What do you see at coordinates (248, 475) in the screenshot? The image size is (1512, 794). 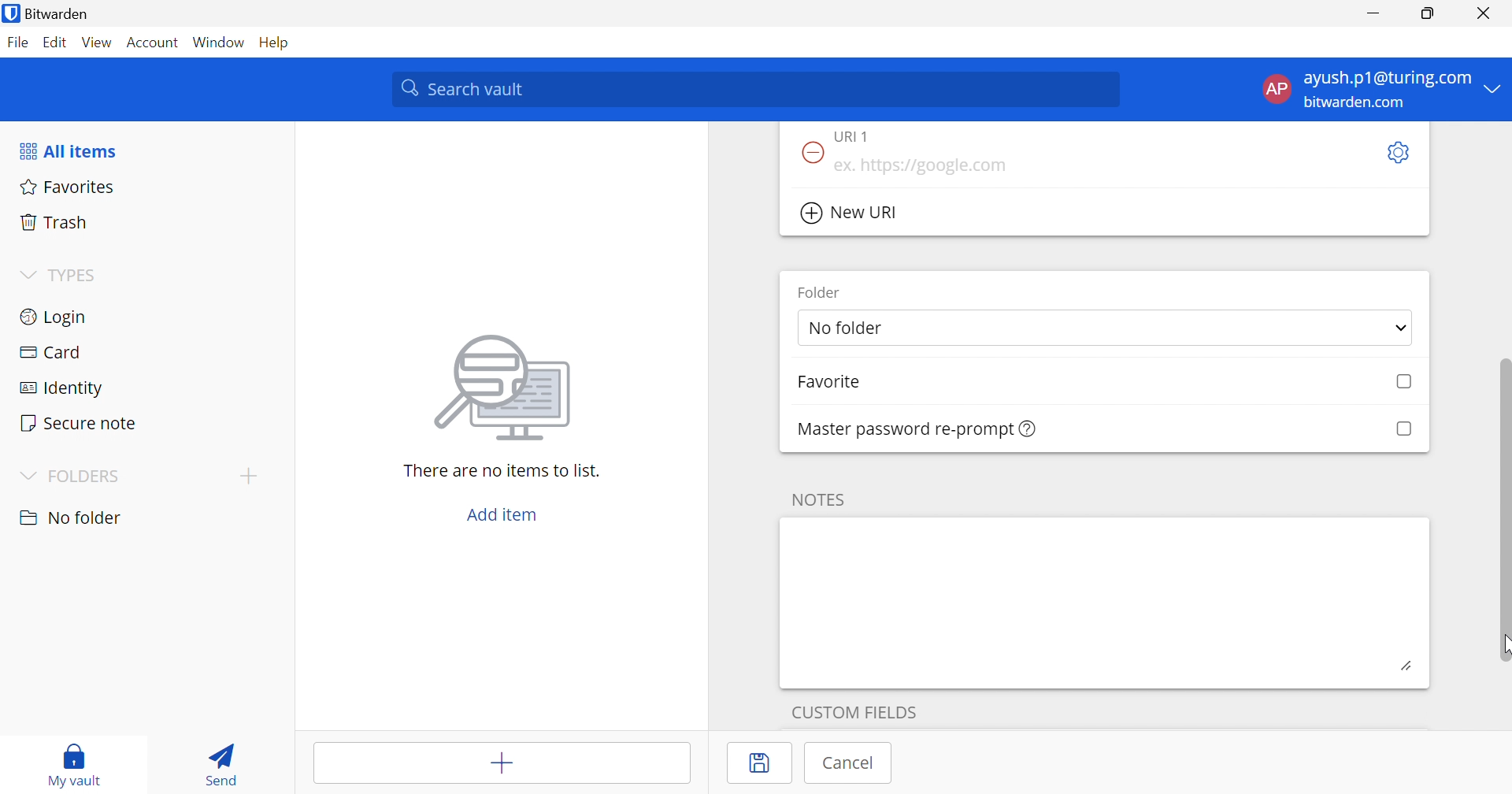 I see `Drop Down` at bounding box center [248, 475].